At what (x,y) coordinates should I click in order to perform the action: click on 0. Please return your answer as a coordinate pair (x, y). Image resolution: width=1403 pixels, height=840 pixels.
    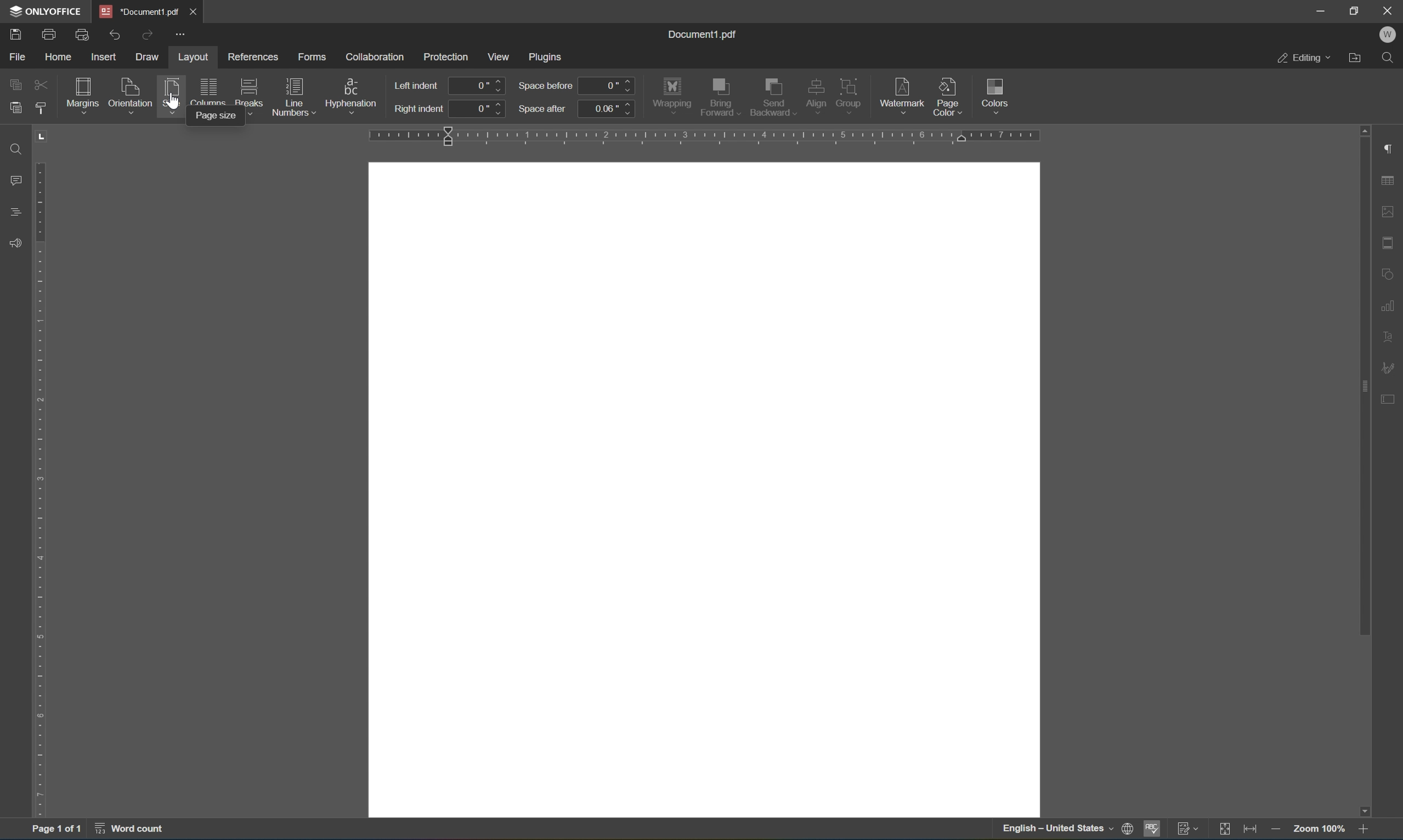
    Looking at the image, I should click on (478, 85).